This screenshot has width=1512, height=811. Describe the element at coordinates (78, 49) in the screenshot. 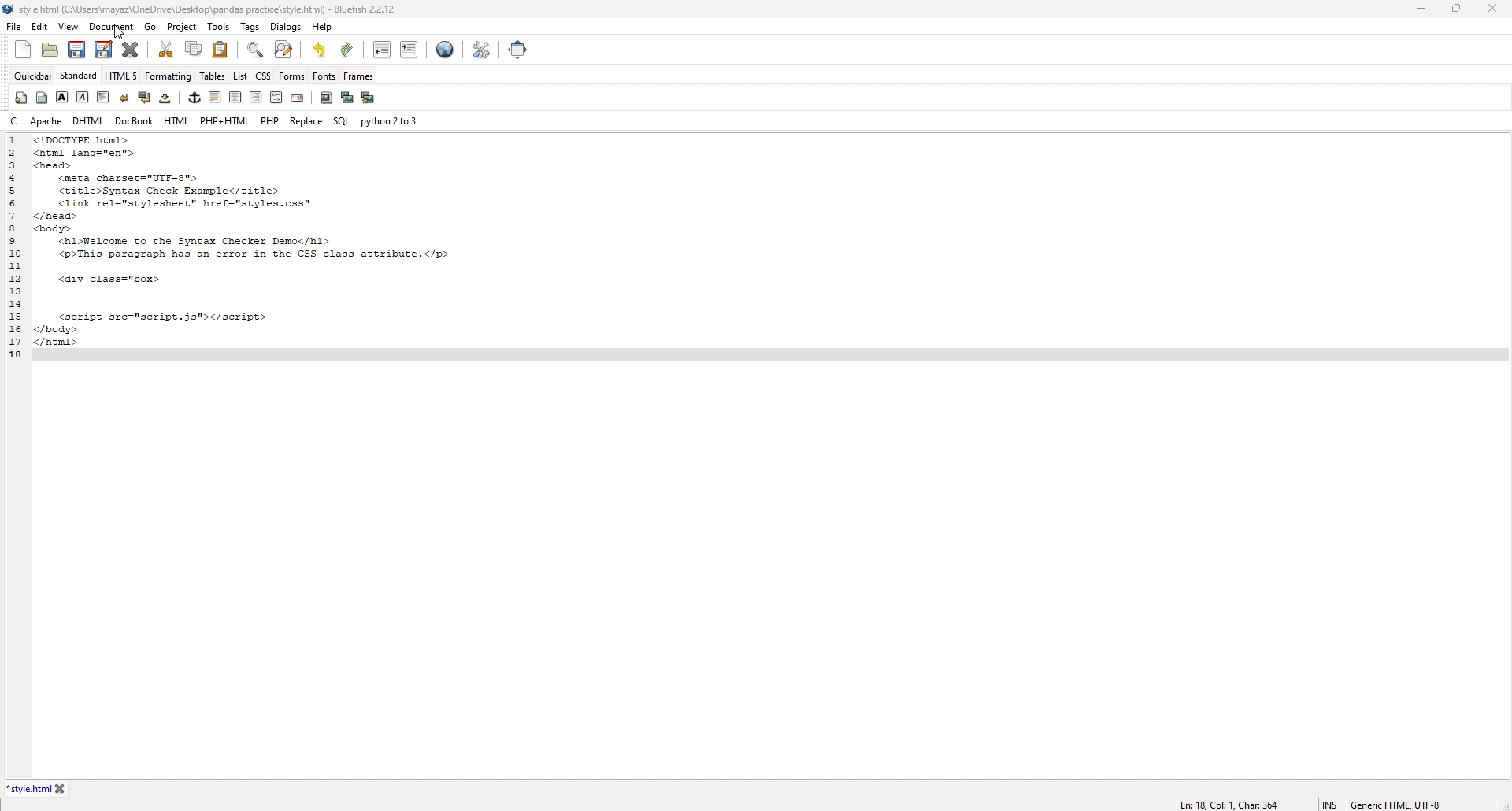

I see `save` at that location.